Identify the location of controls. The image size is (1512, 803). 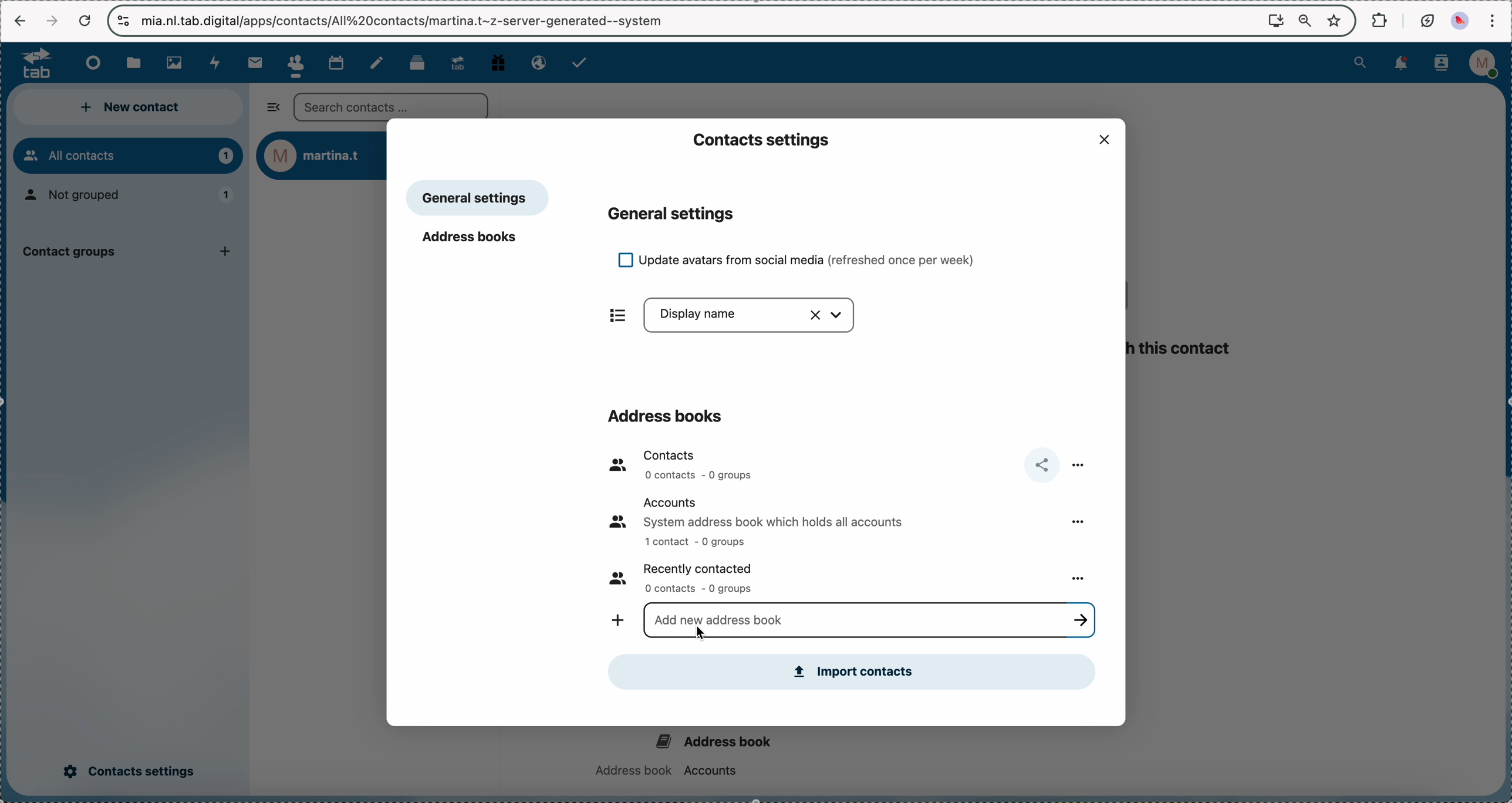
(122, 19).